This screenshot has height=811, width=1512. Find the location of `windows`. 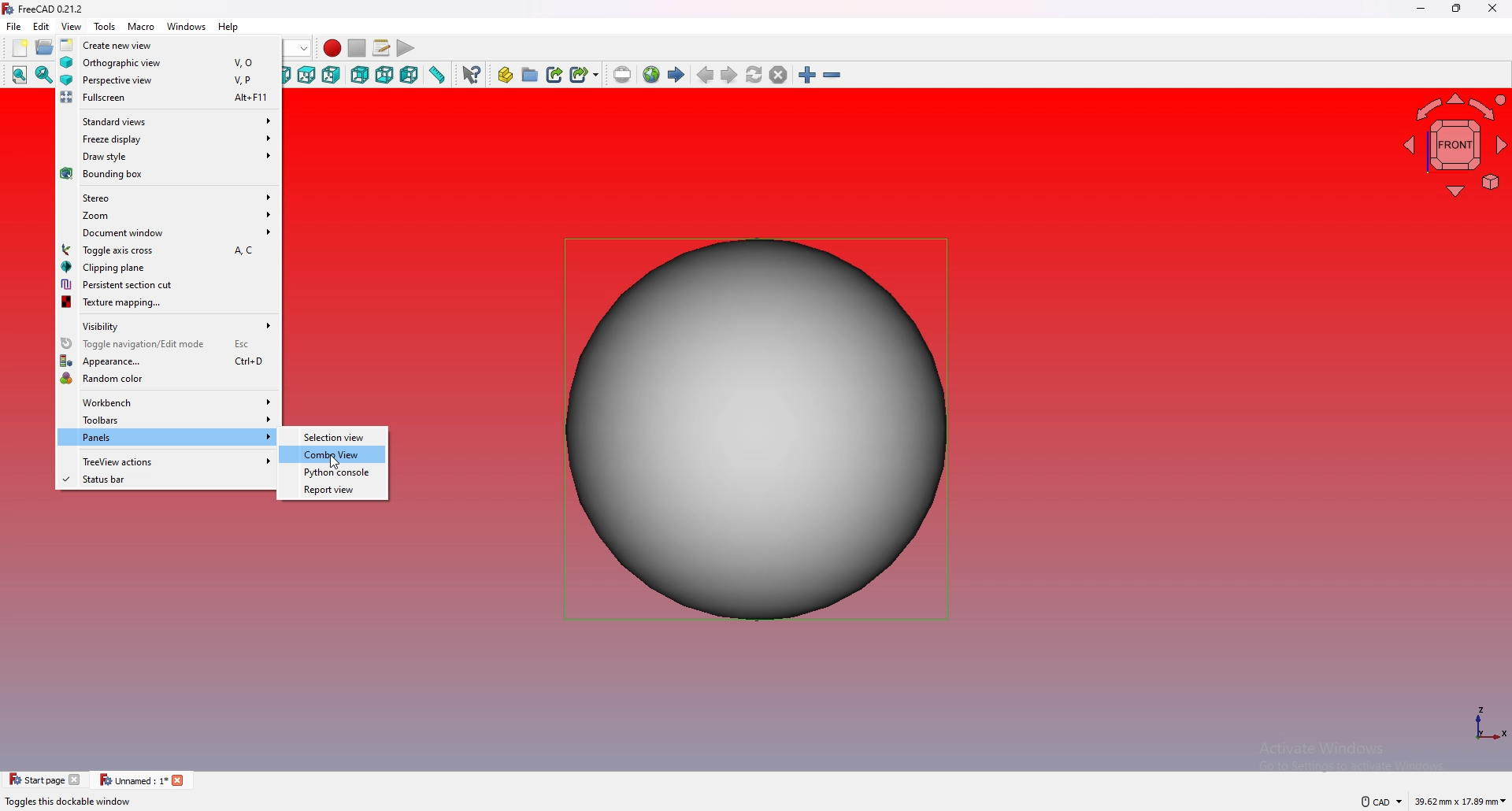

windows is located at coordinates (187, 27).